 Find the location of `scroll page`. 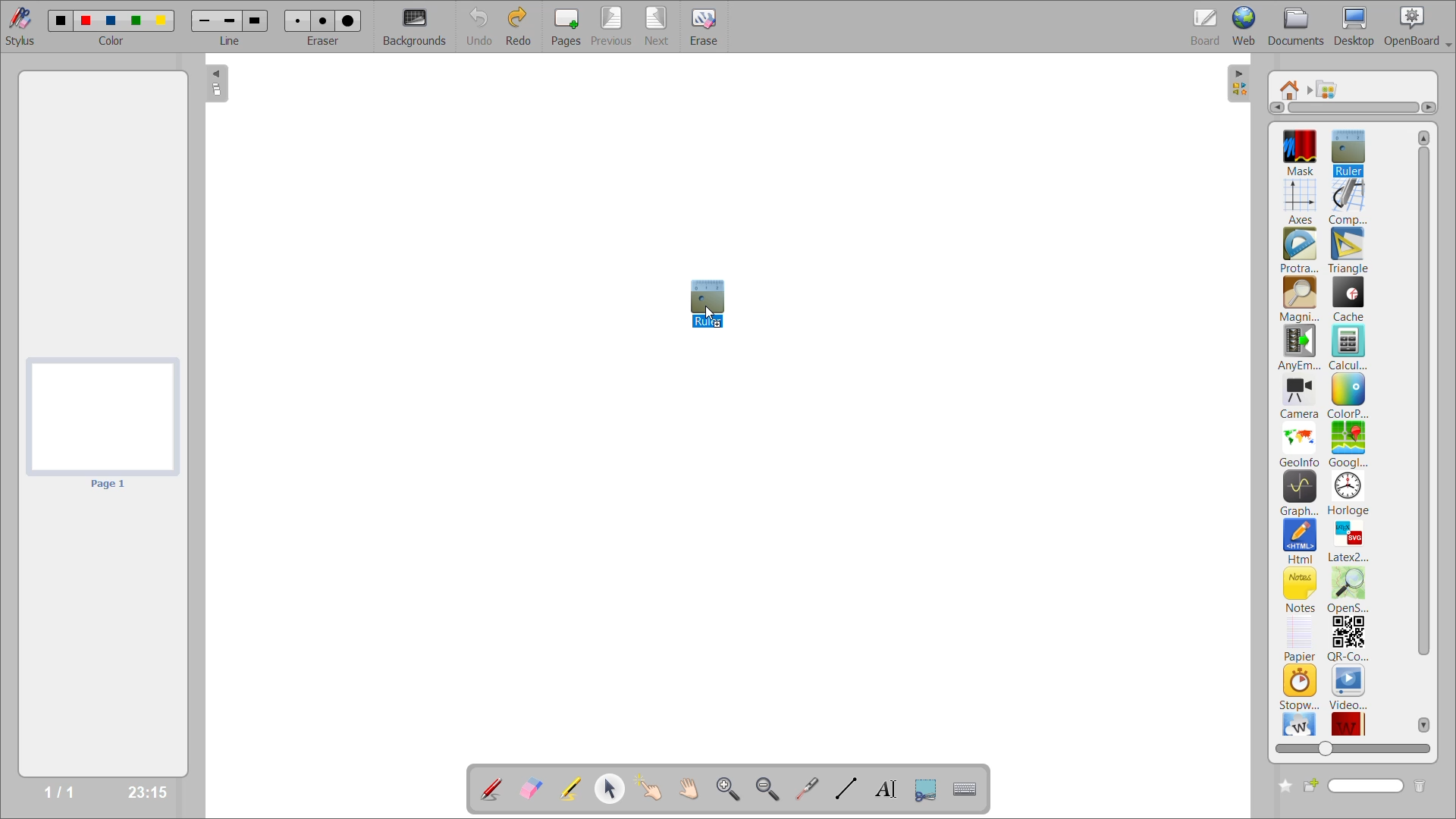

scroll page is located at coordinates (689, 787).